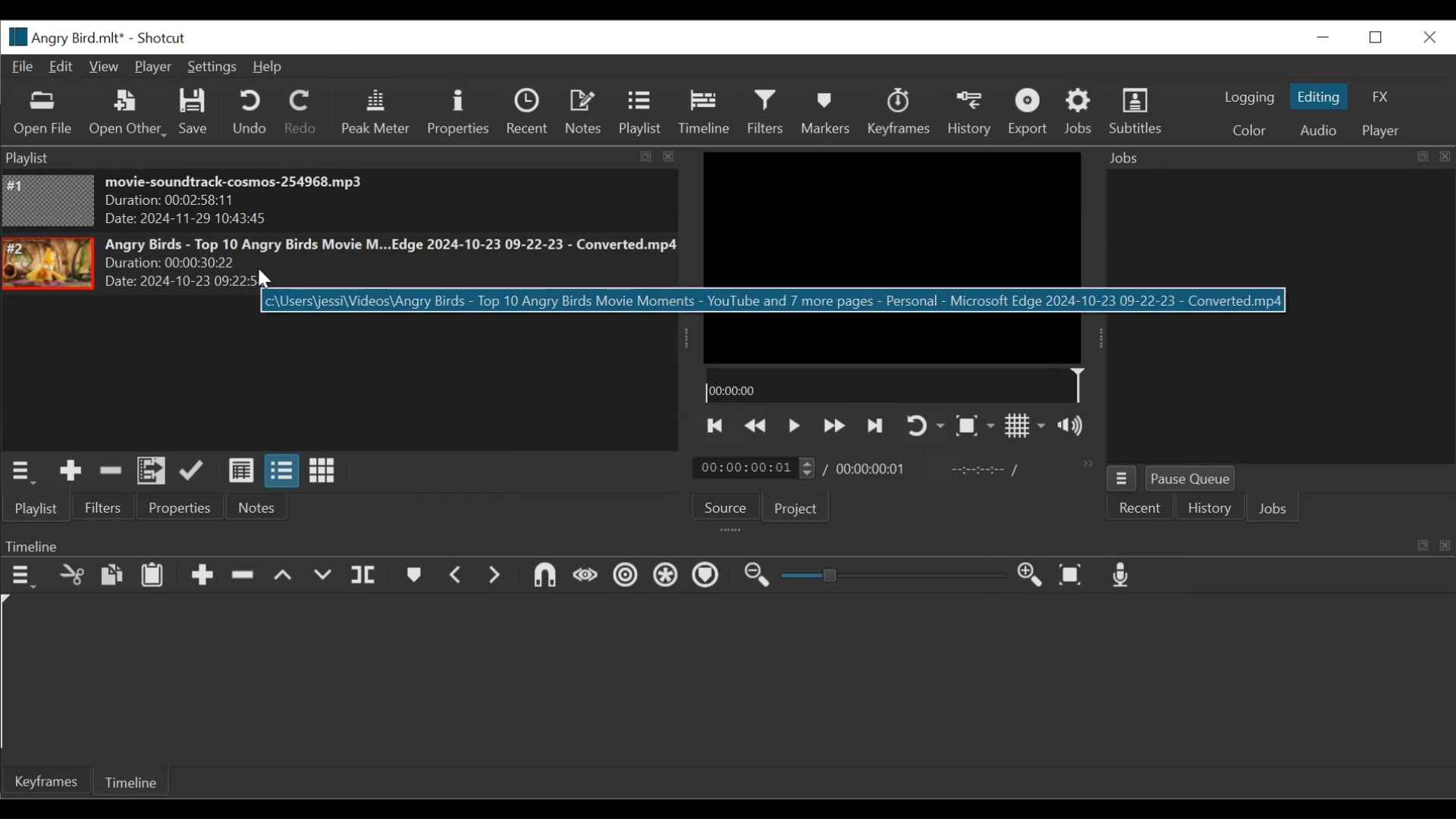 This screenshot has height=819, width=1456. Describe the element at coordinates (153, 575) in the screenshot. I see `Paste` at that location.